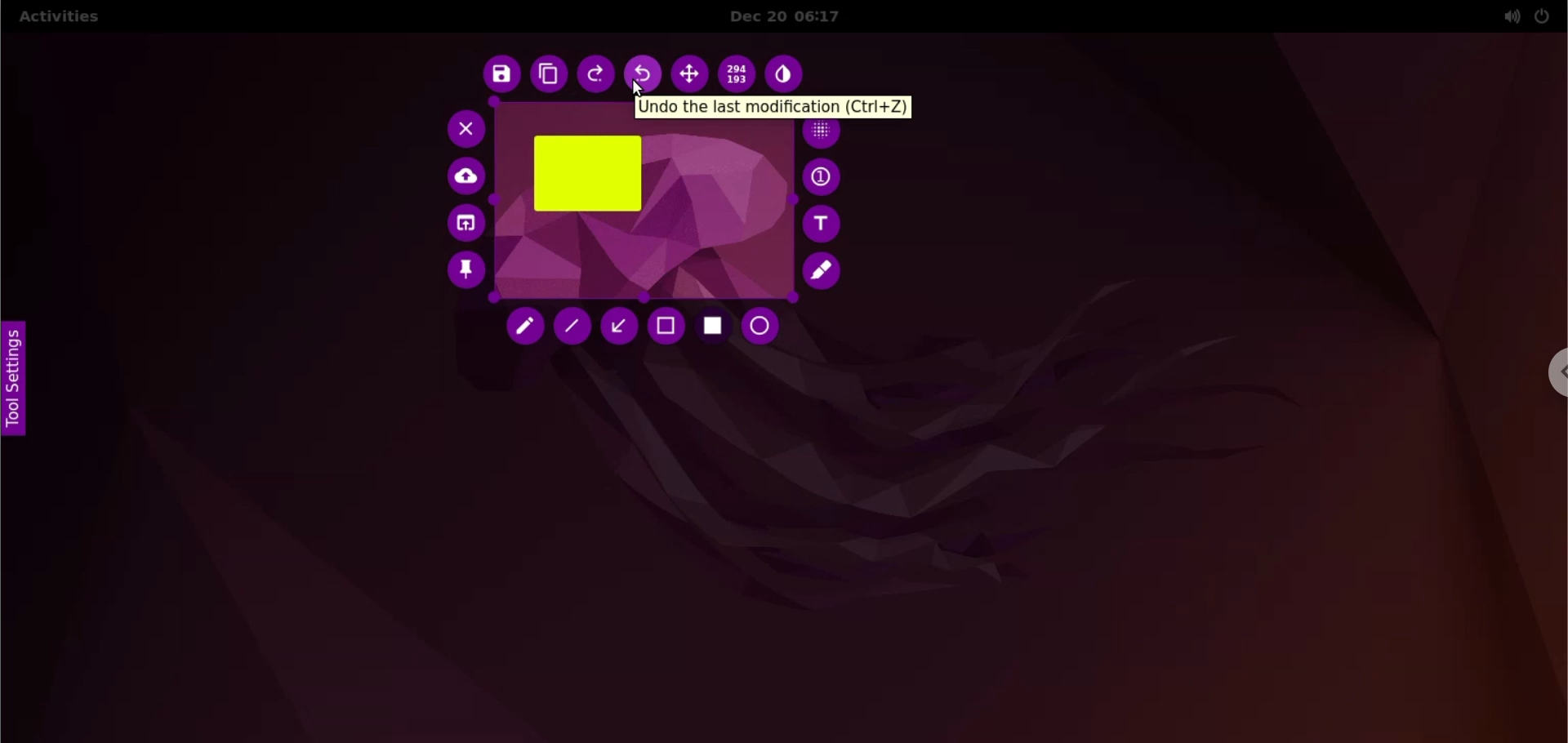 The width and height of the screenshot is (1568, 743). What do you see at coordinates (618, 326) in the screenshot?
I see `arrow tool` at bounding box center [618, 326].